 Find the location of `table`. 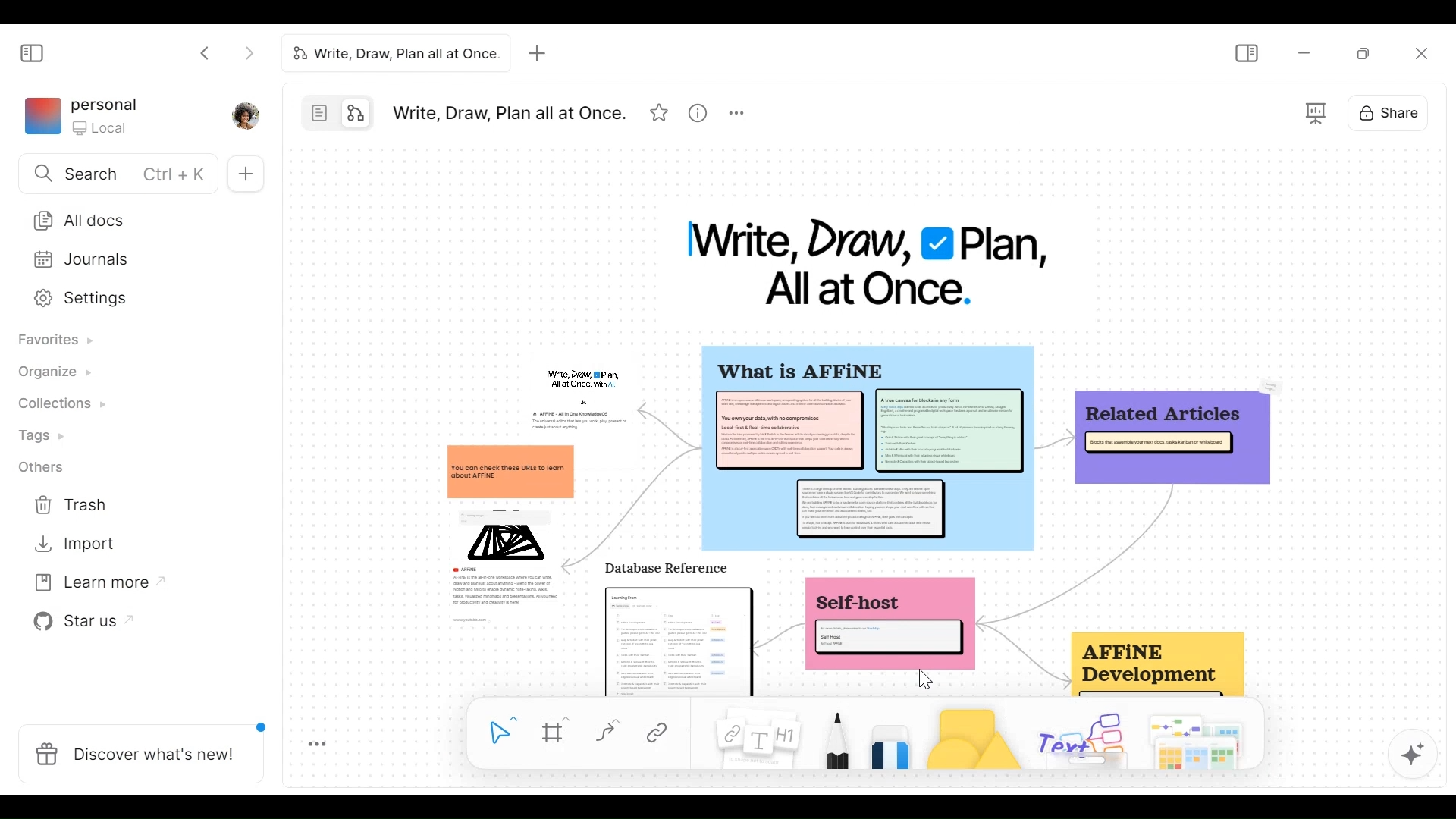

table is located at coordinates (1197, 737).